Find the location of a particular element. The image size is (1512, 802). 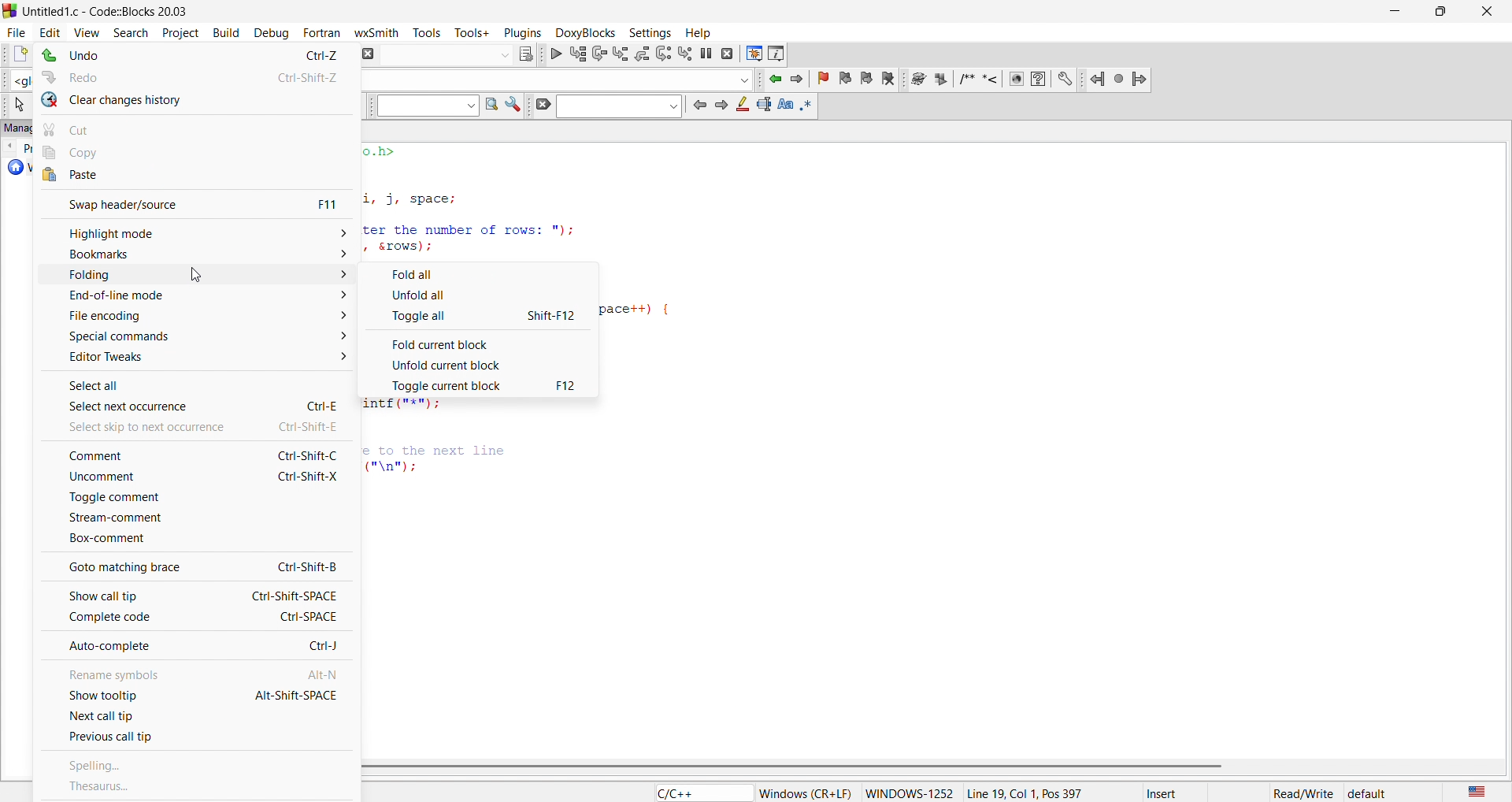

jump backward is located at coordinates (776, 79).